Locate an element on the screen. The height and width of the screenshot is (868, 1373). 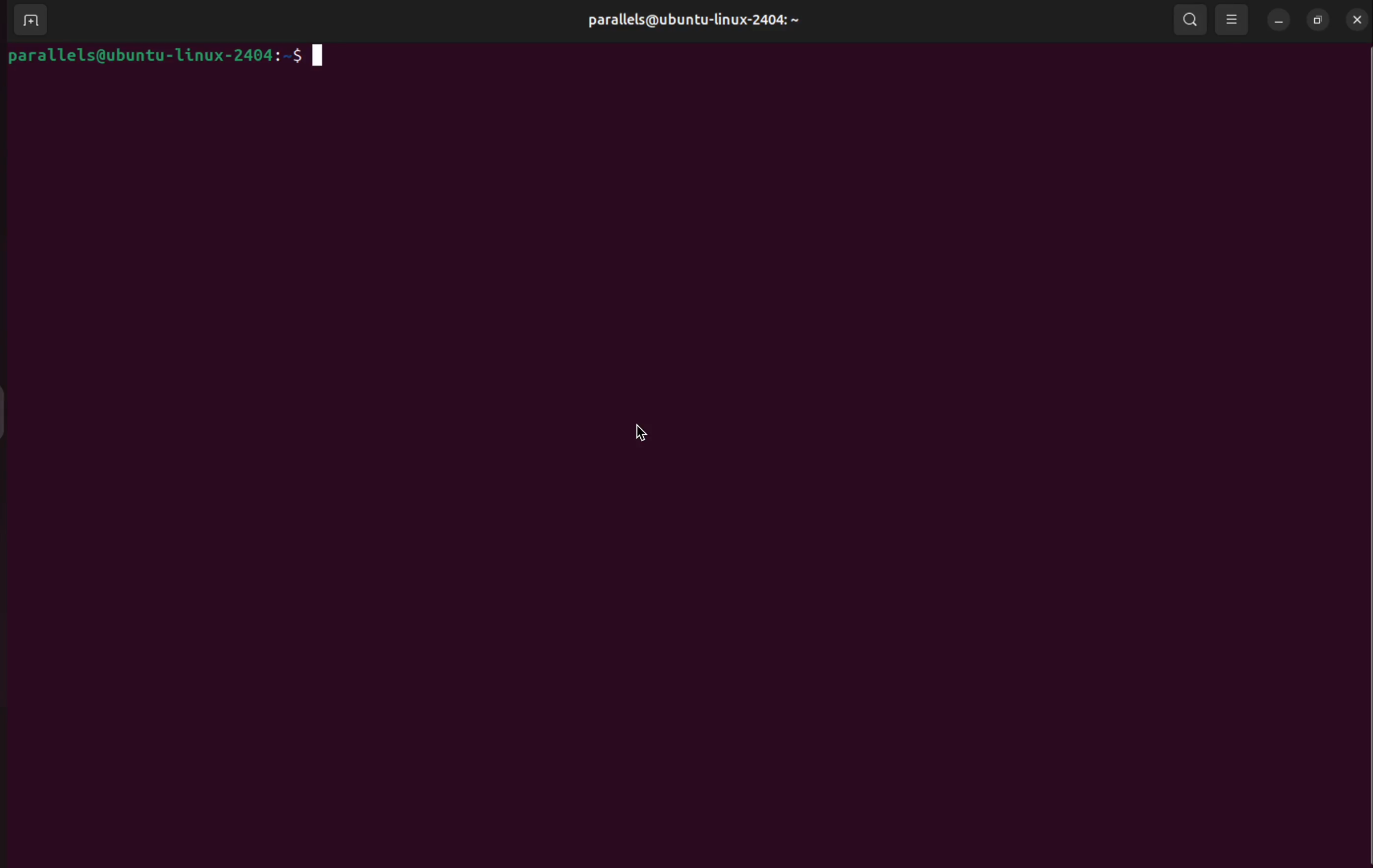
parallels@ubuntu-linux-2404: ~$ is located at coordinates (168, 57).